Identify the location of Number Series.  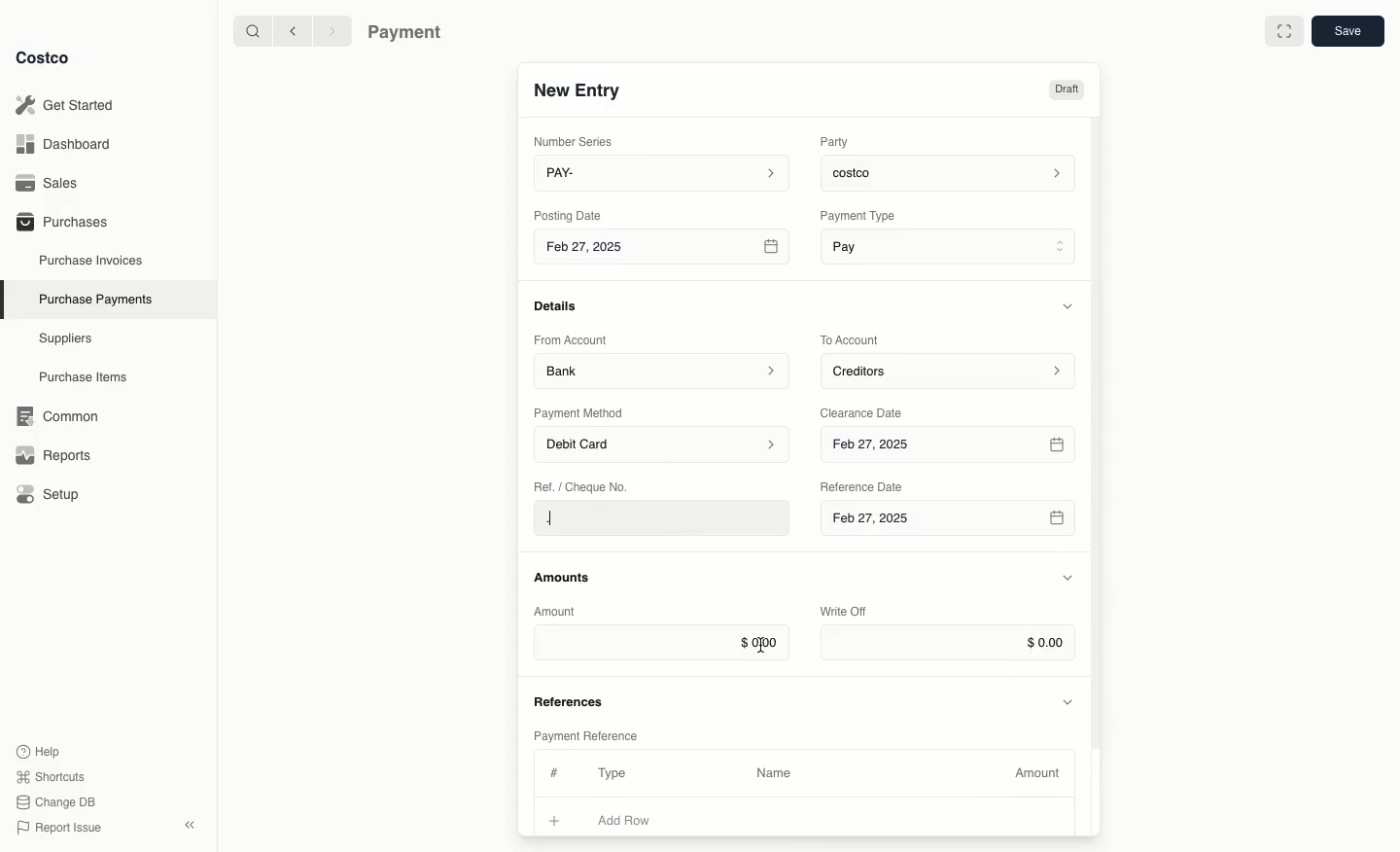
(577, 141).